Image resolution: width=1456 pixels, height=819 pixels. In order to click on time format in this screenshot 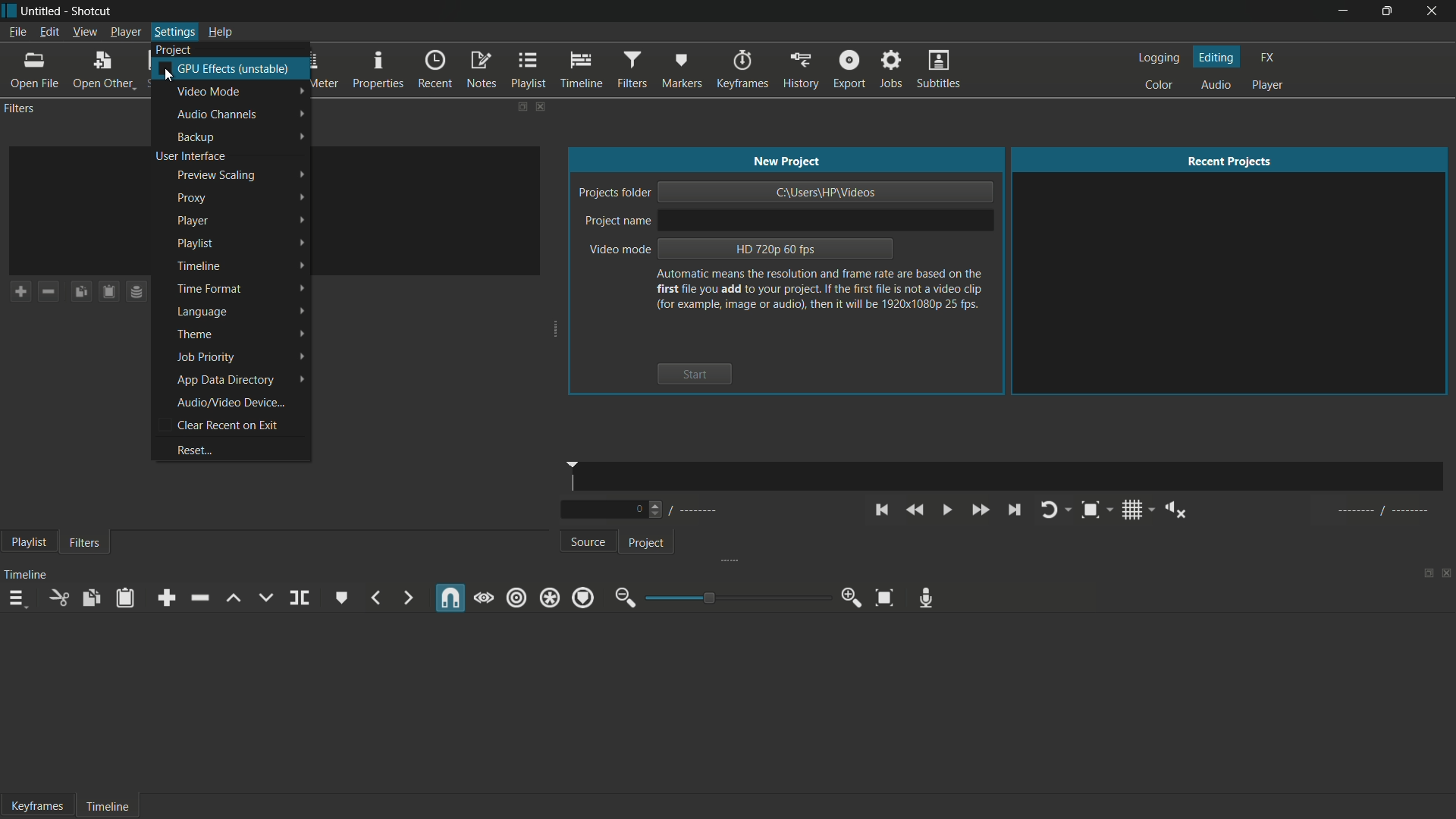, I will do `click(208, 288)`.